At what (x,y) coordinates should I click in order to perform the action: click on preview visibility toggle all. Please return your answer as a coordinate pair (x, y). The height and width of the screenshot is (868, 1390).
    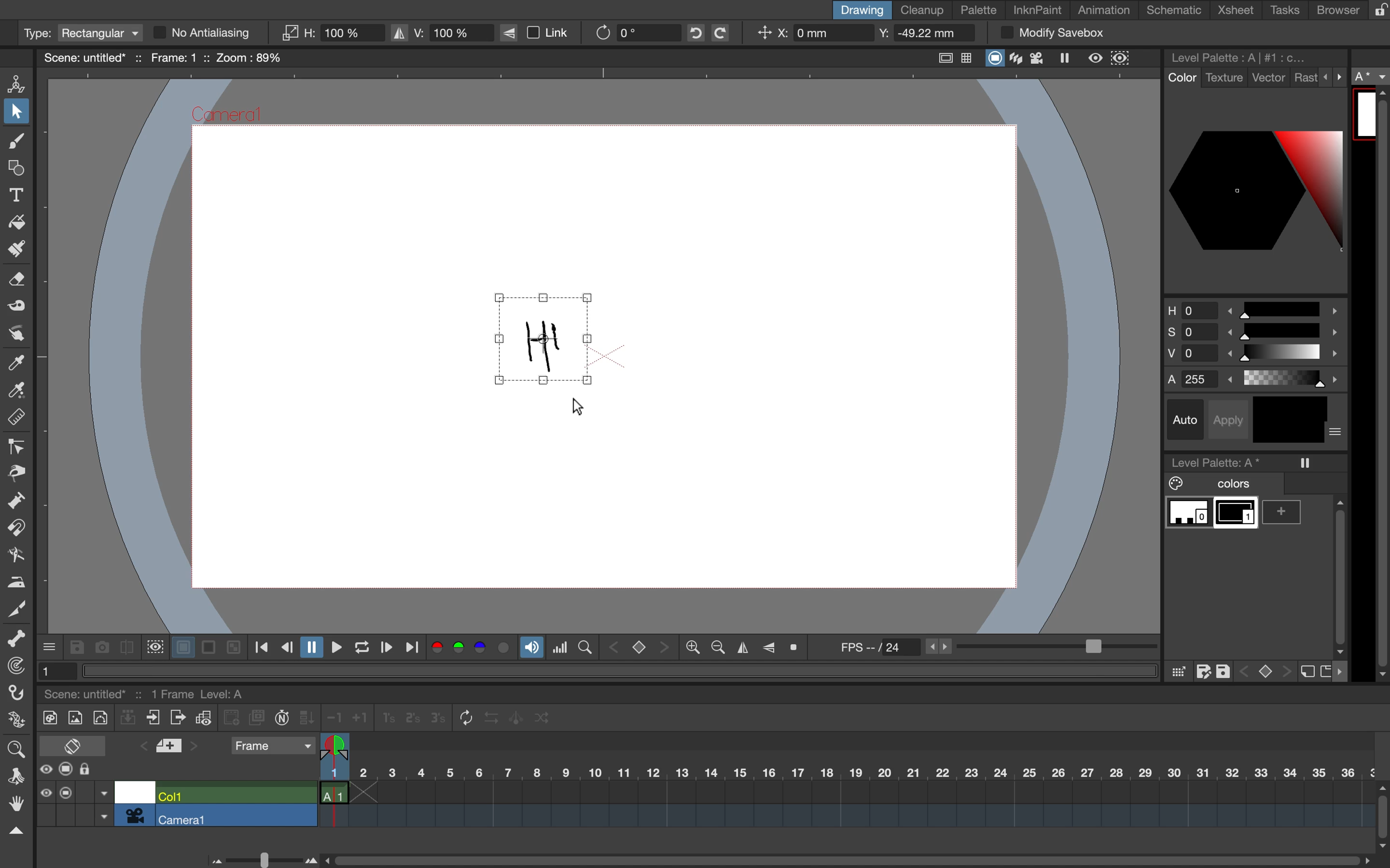
    Looking at the image, I should click on (45, 769).